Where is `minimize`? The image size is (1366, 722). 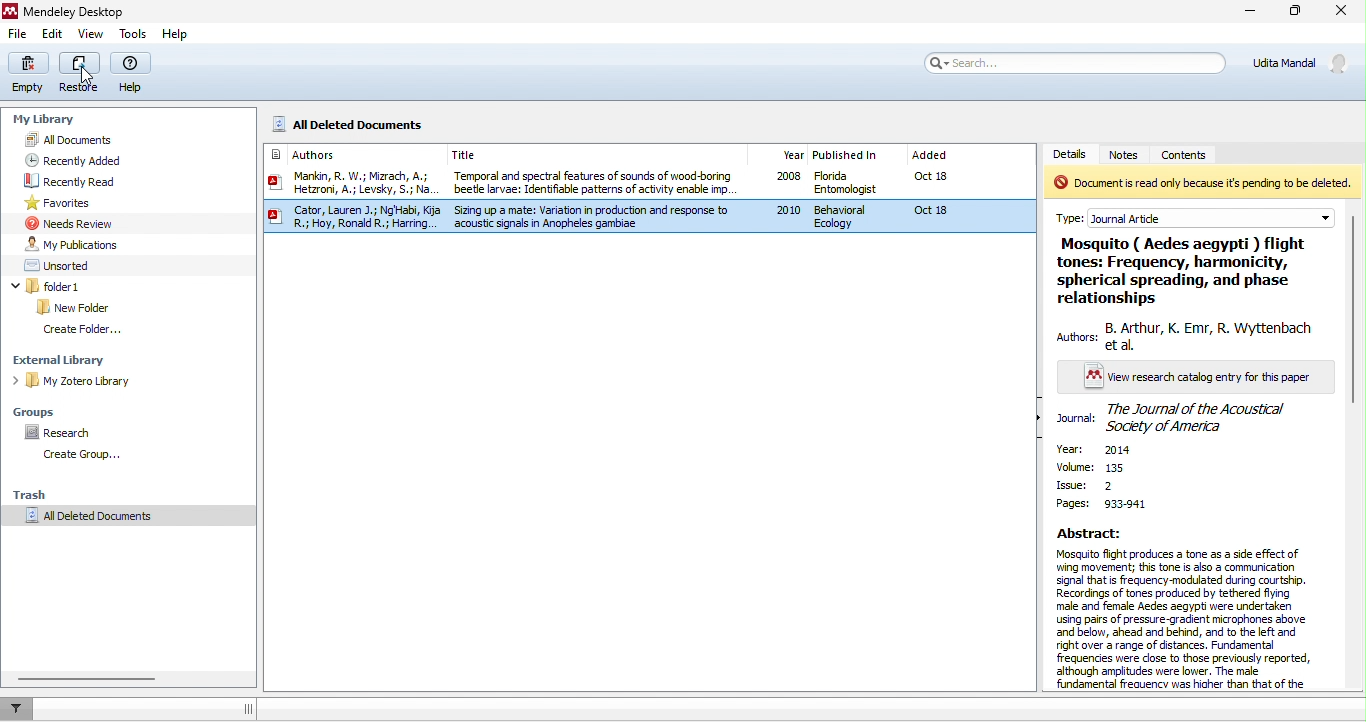 minimize is located at coordinates (1248, 12).